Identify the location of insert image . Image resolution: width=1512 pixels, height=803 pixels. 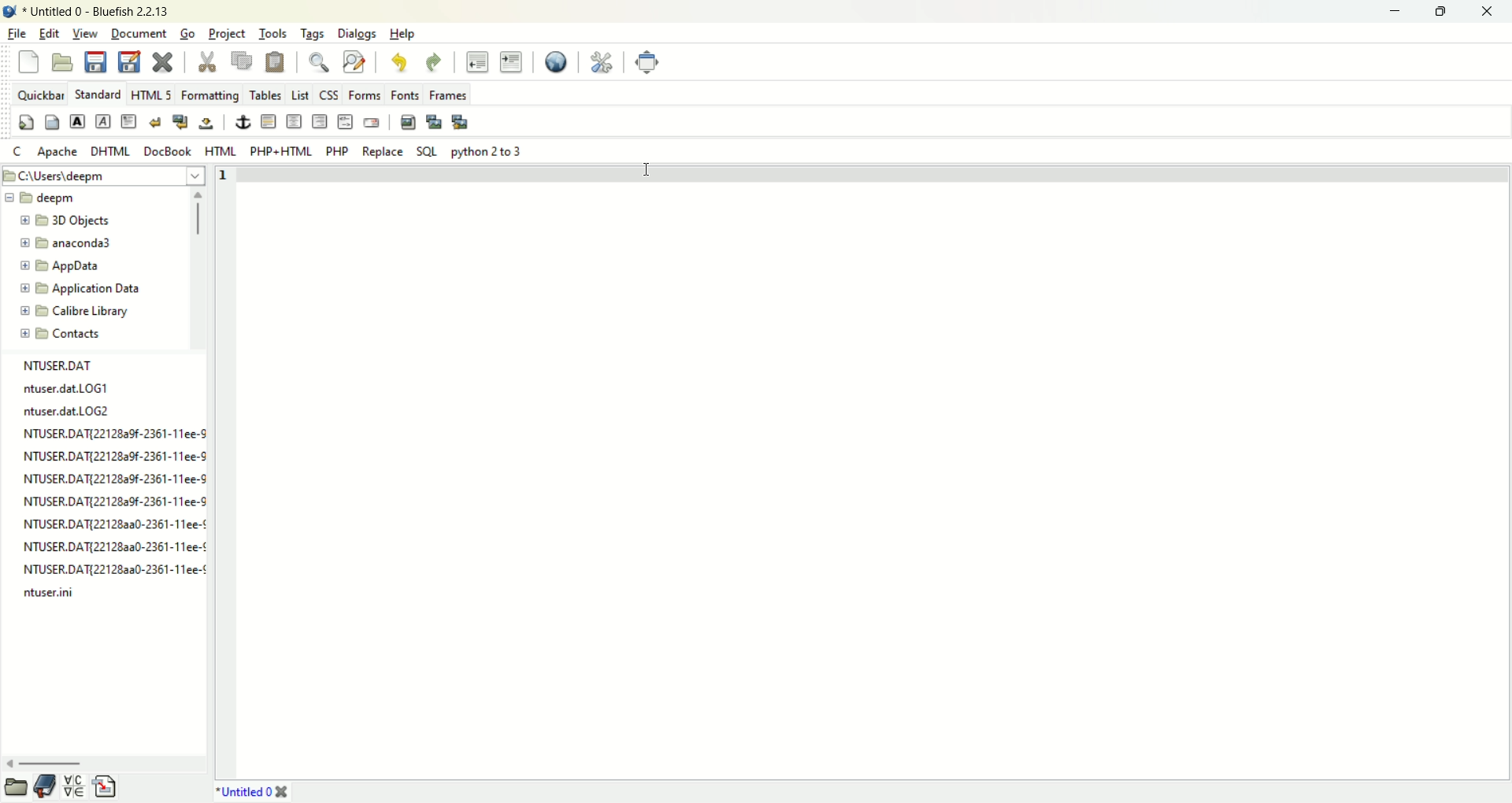
(409, 123).